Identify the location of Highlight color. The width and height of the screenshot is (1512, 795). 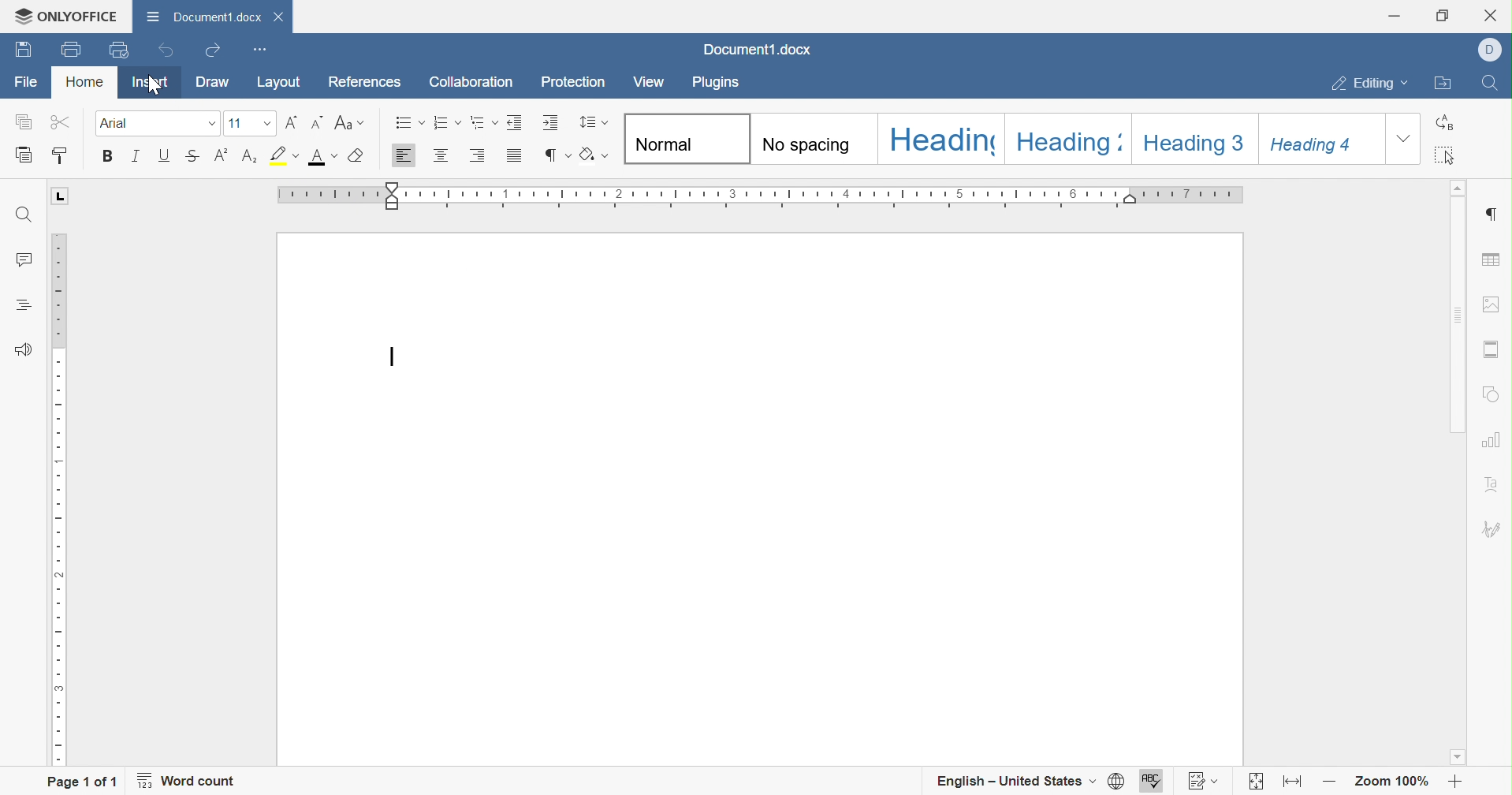
(286, 155).